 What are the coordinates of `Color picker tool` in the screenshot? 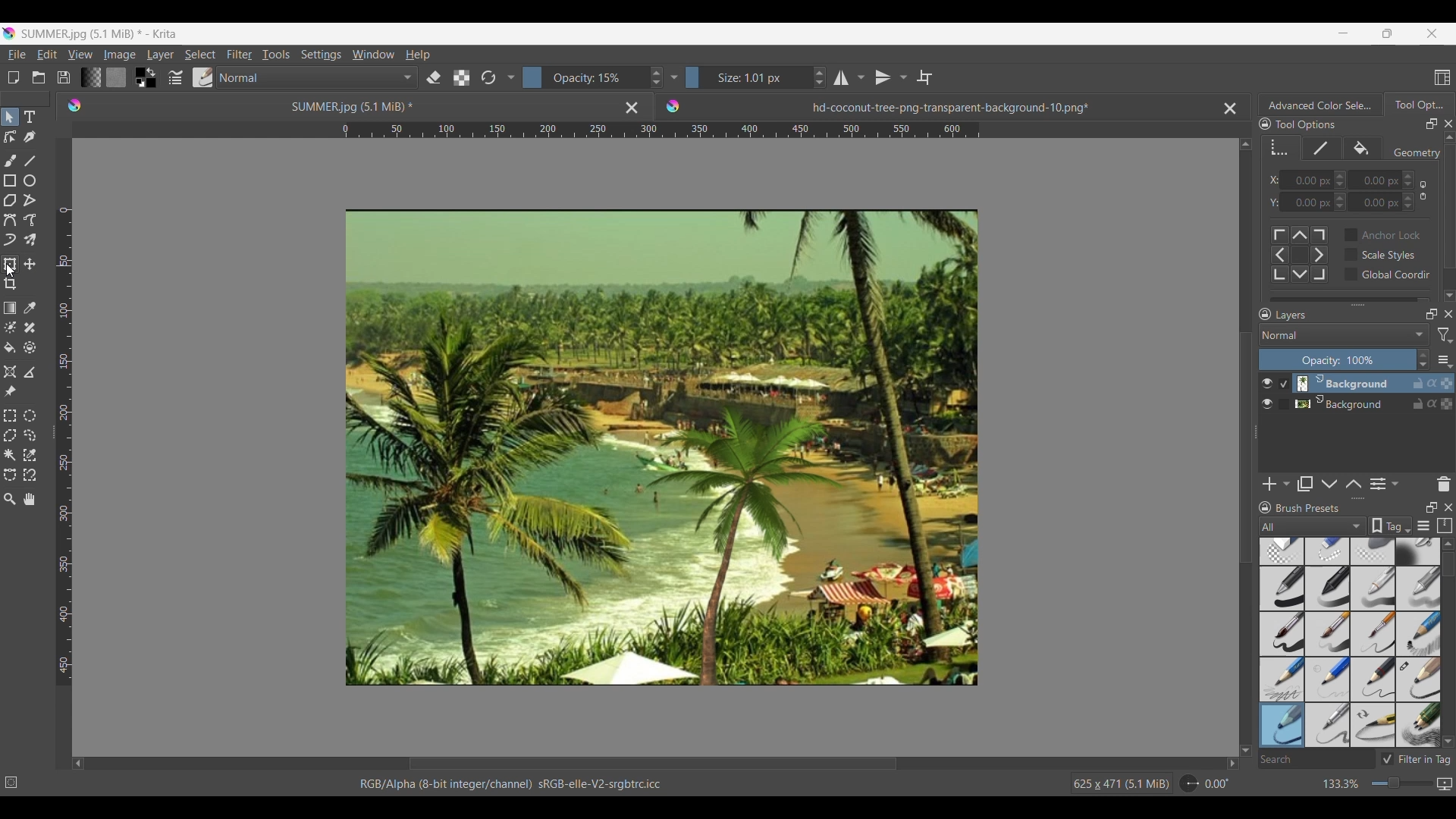 It's located at (29, 308).